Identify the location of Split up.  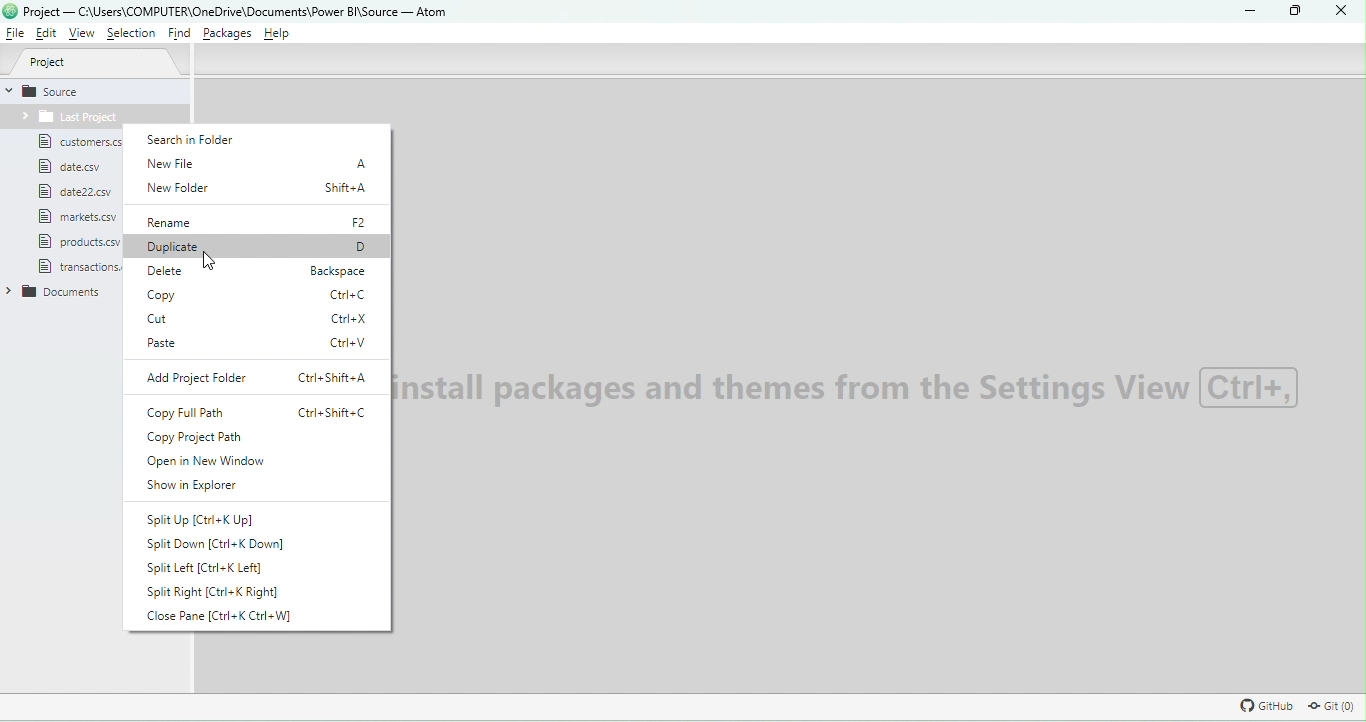
(203, 519).